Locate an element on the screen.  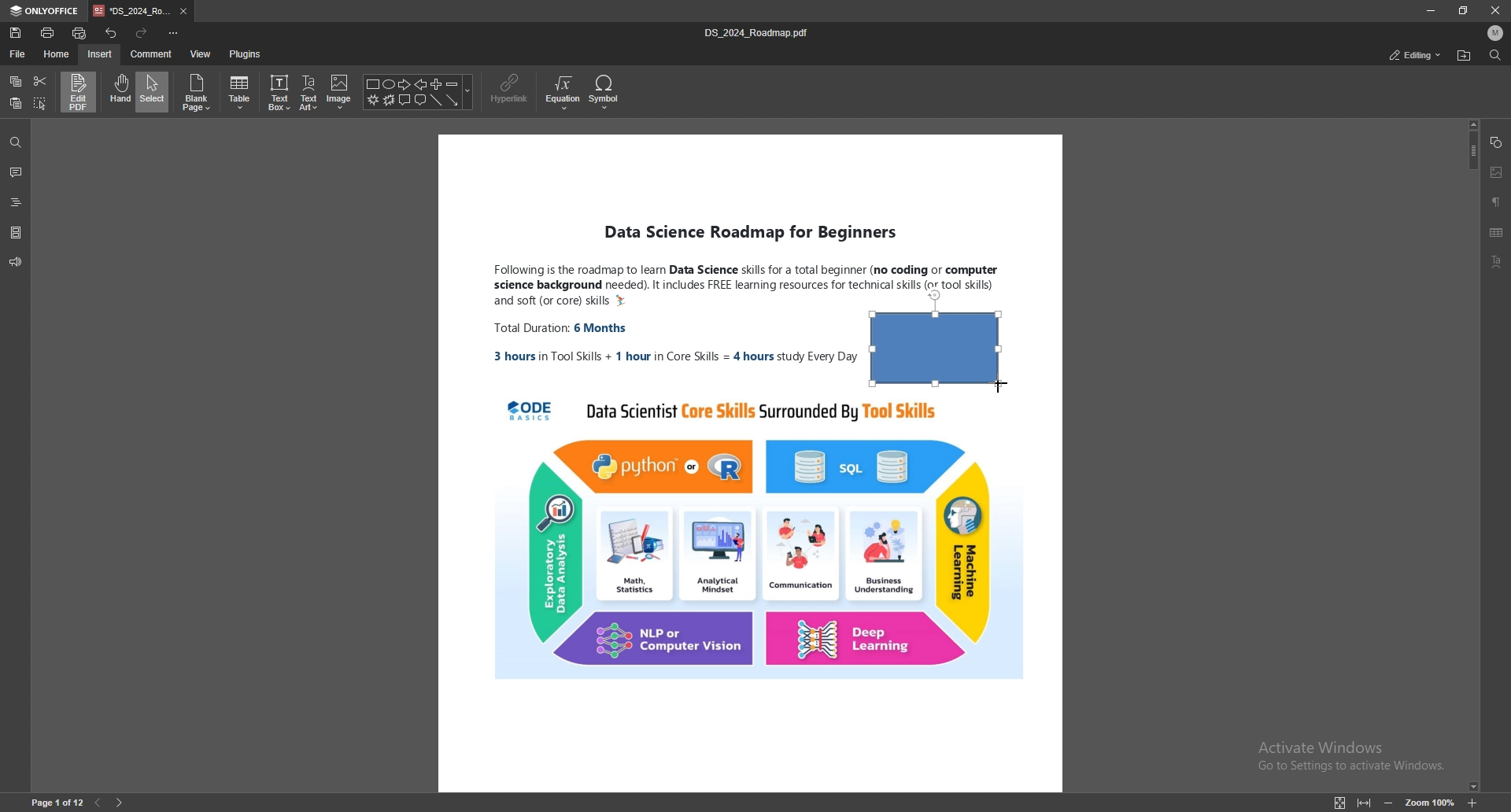
next page is located at coordinates (124, 800).